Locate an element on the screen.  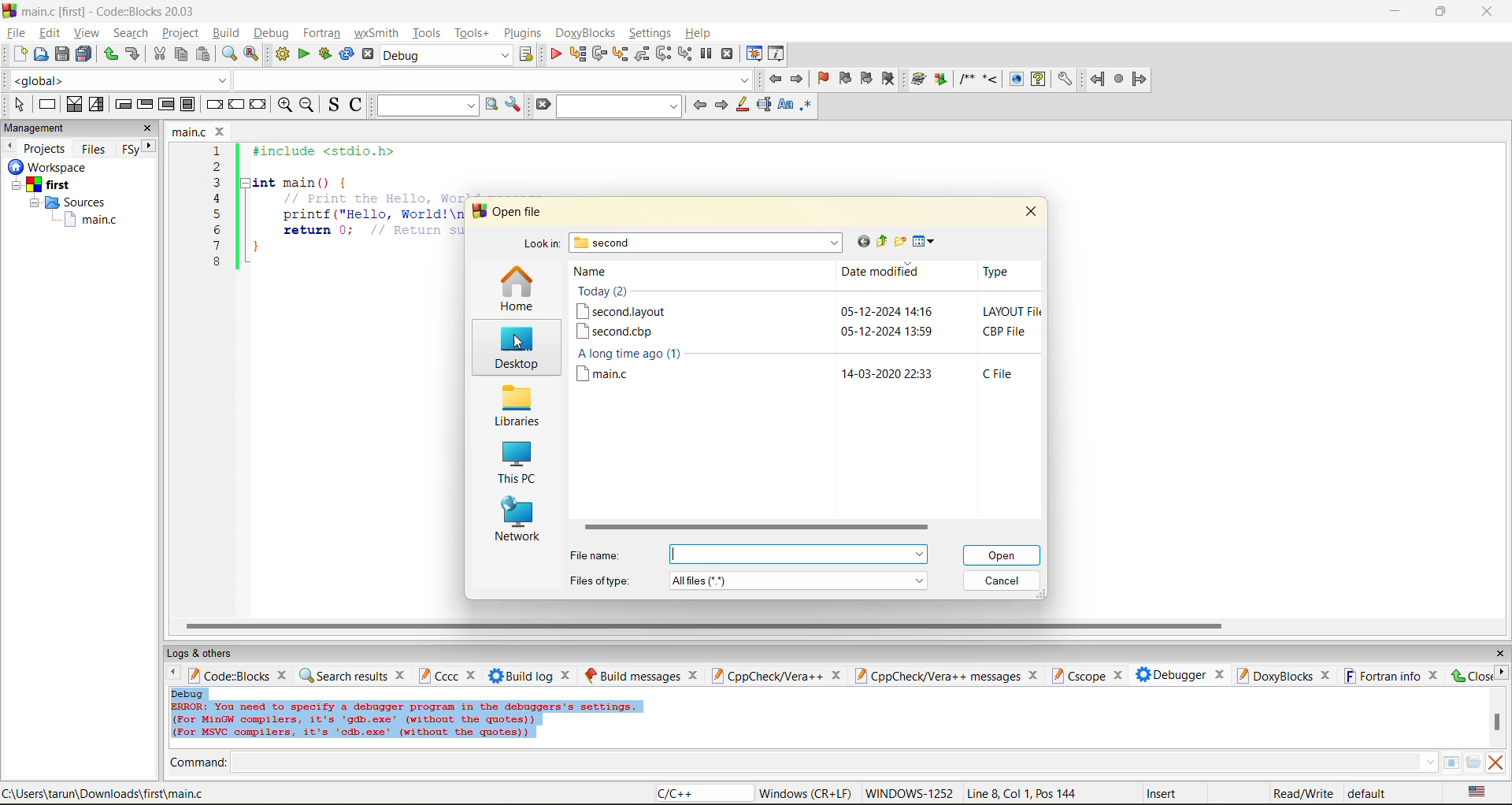
fortran info is located at coordinates (1383, 676).